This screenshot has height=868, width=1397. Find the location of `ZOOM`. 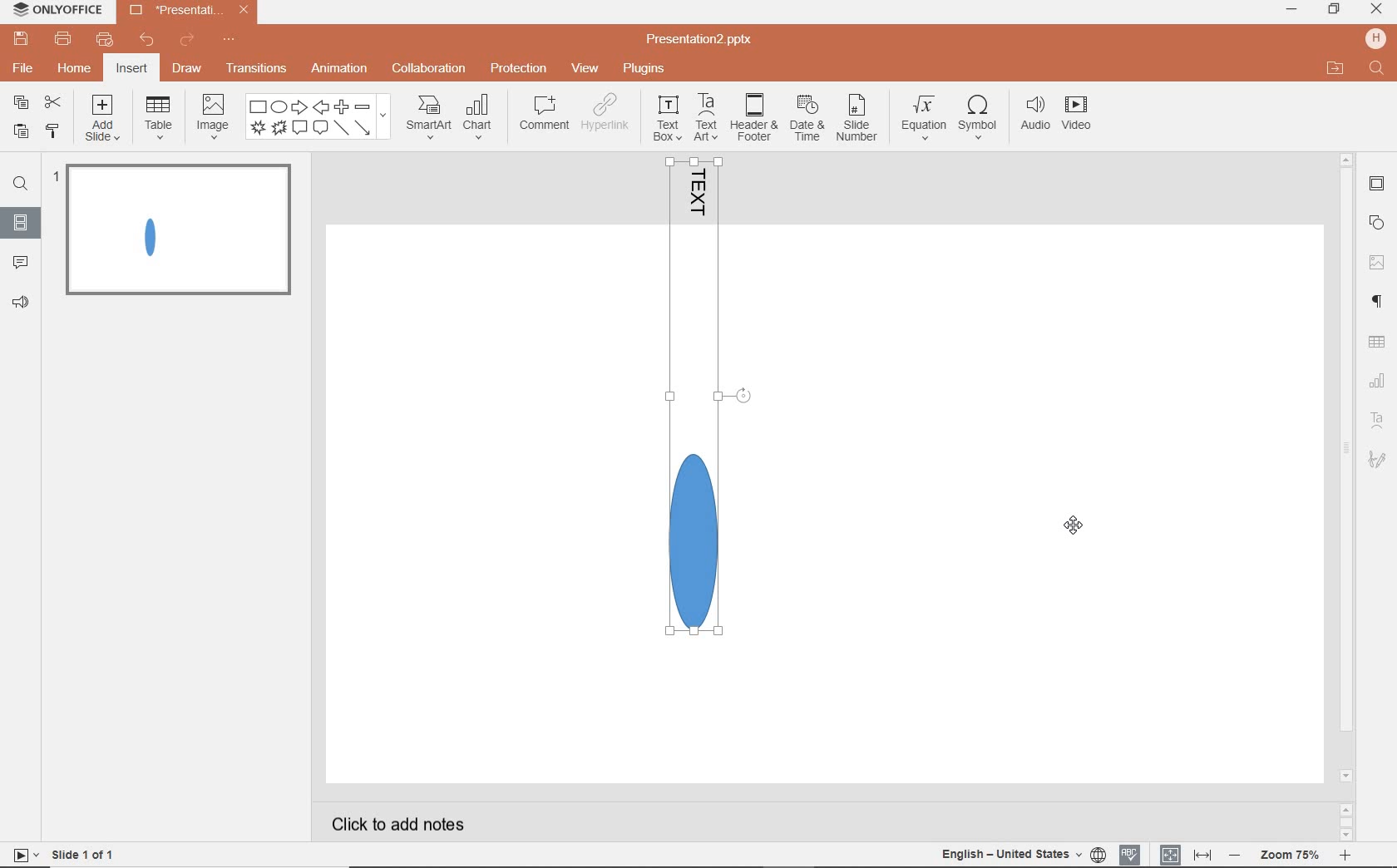

ZOOM is located at coordinates (1289, 857).